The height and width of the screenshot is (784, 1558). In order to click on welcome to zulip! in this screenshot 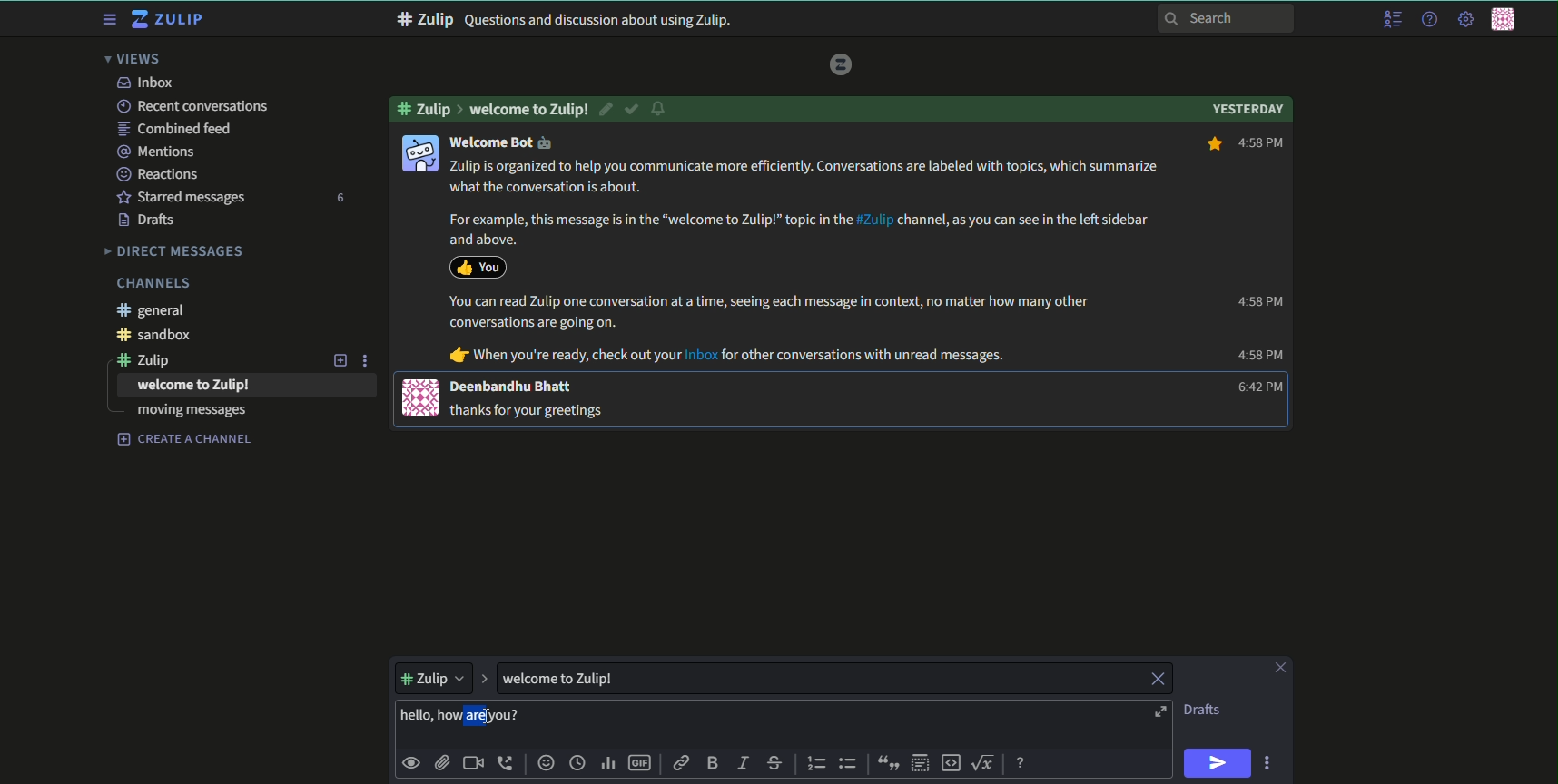, I will do `click(194, 386)`.